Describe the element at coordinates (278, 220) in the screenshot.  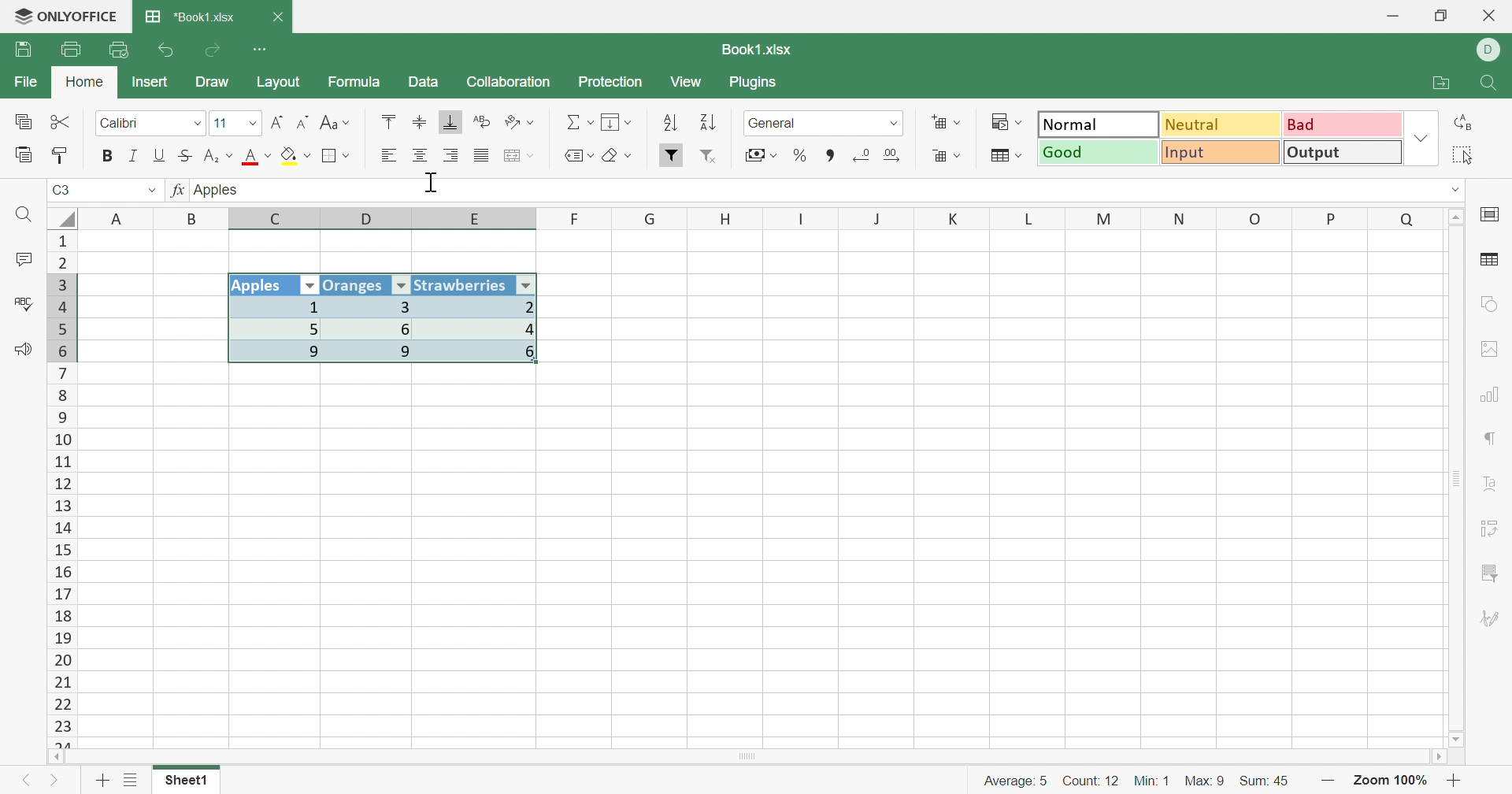
I see `C` at that location.